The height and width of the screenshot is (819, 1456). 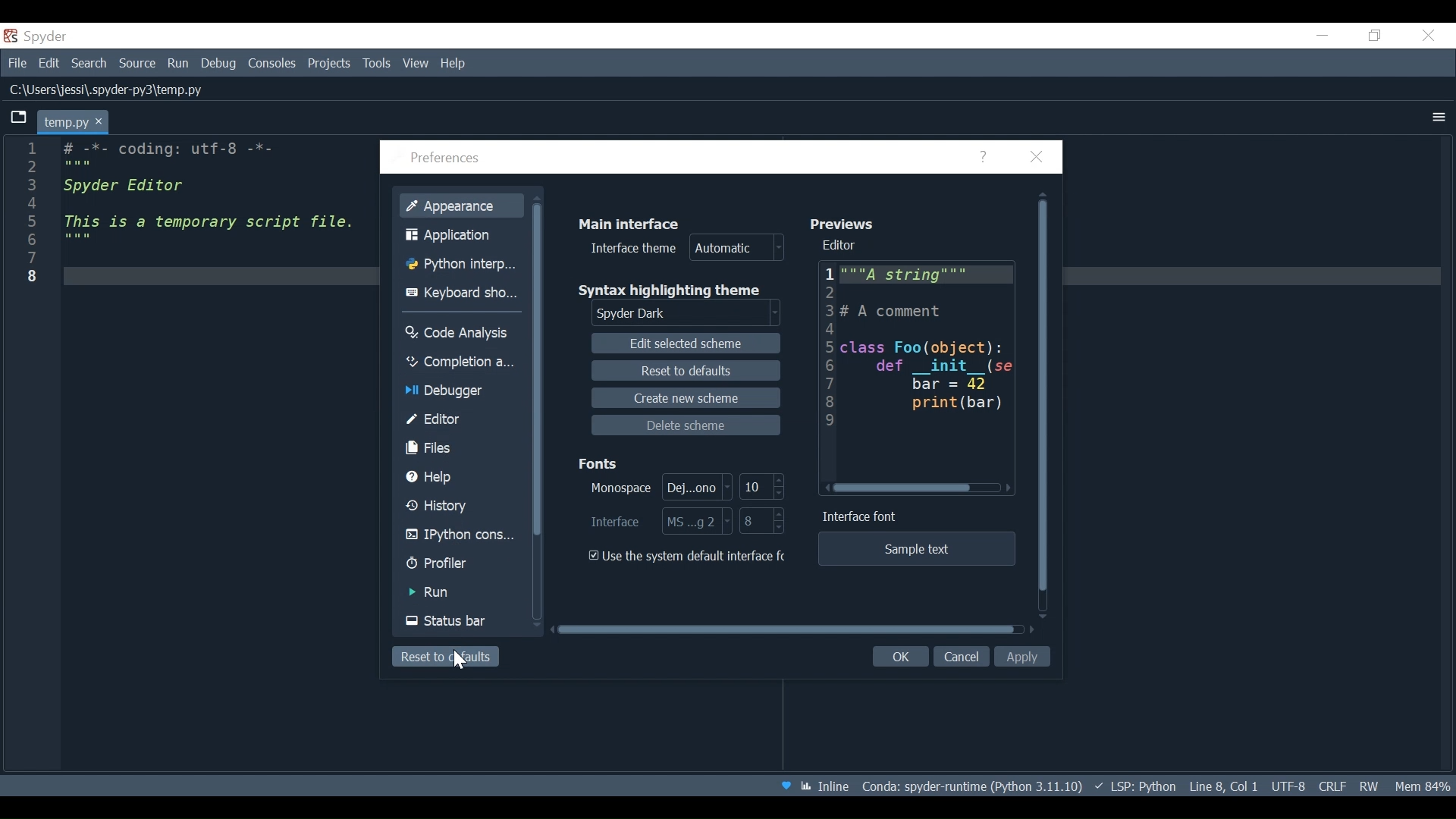 I want to click on Fonts, so click(x=602, y=461).